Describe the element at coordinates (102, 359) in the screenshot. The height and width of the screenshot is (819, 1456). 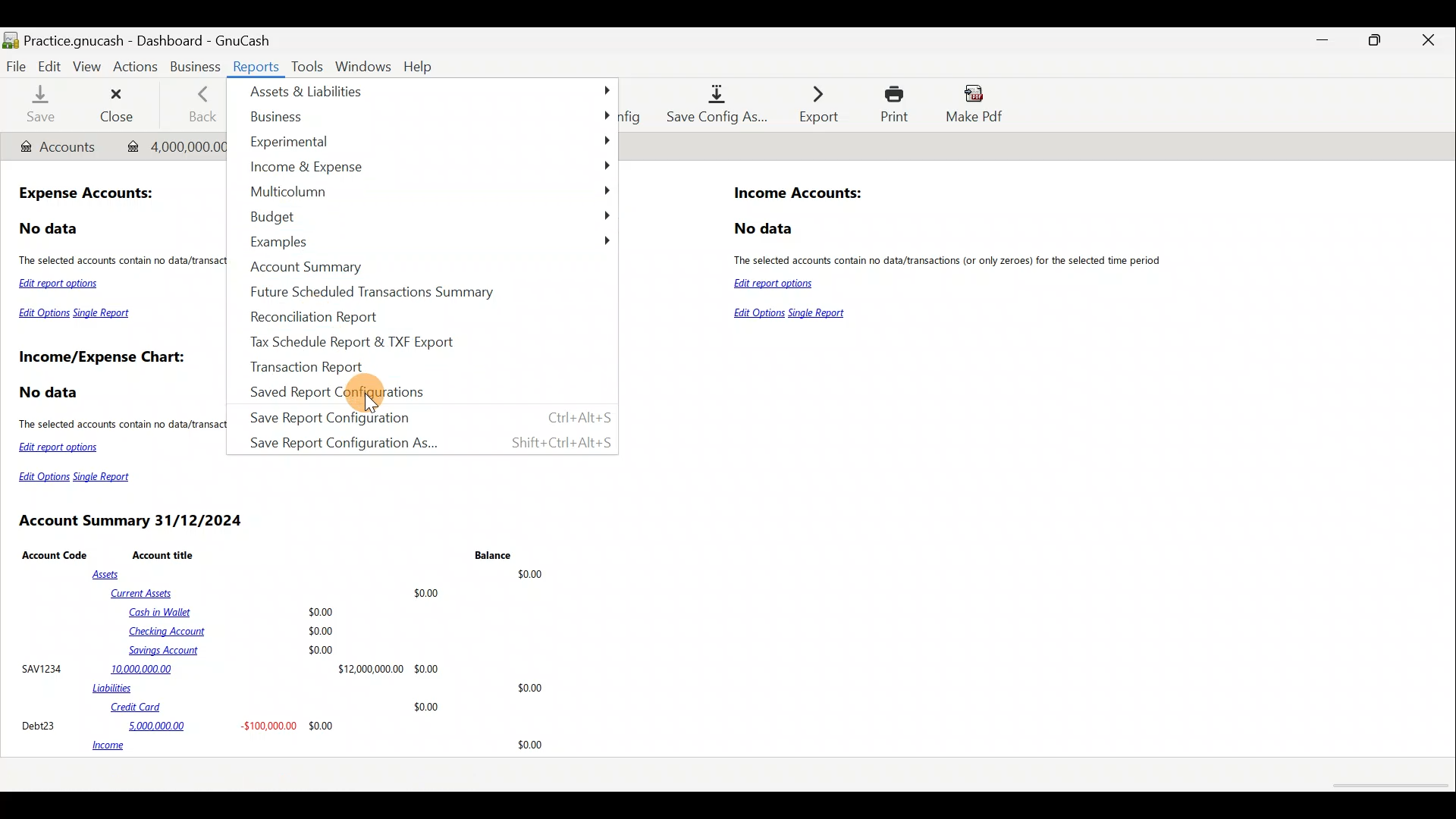
I see `Income/Expense Chart:` at that location.